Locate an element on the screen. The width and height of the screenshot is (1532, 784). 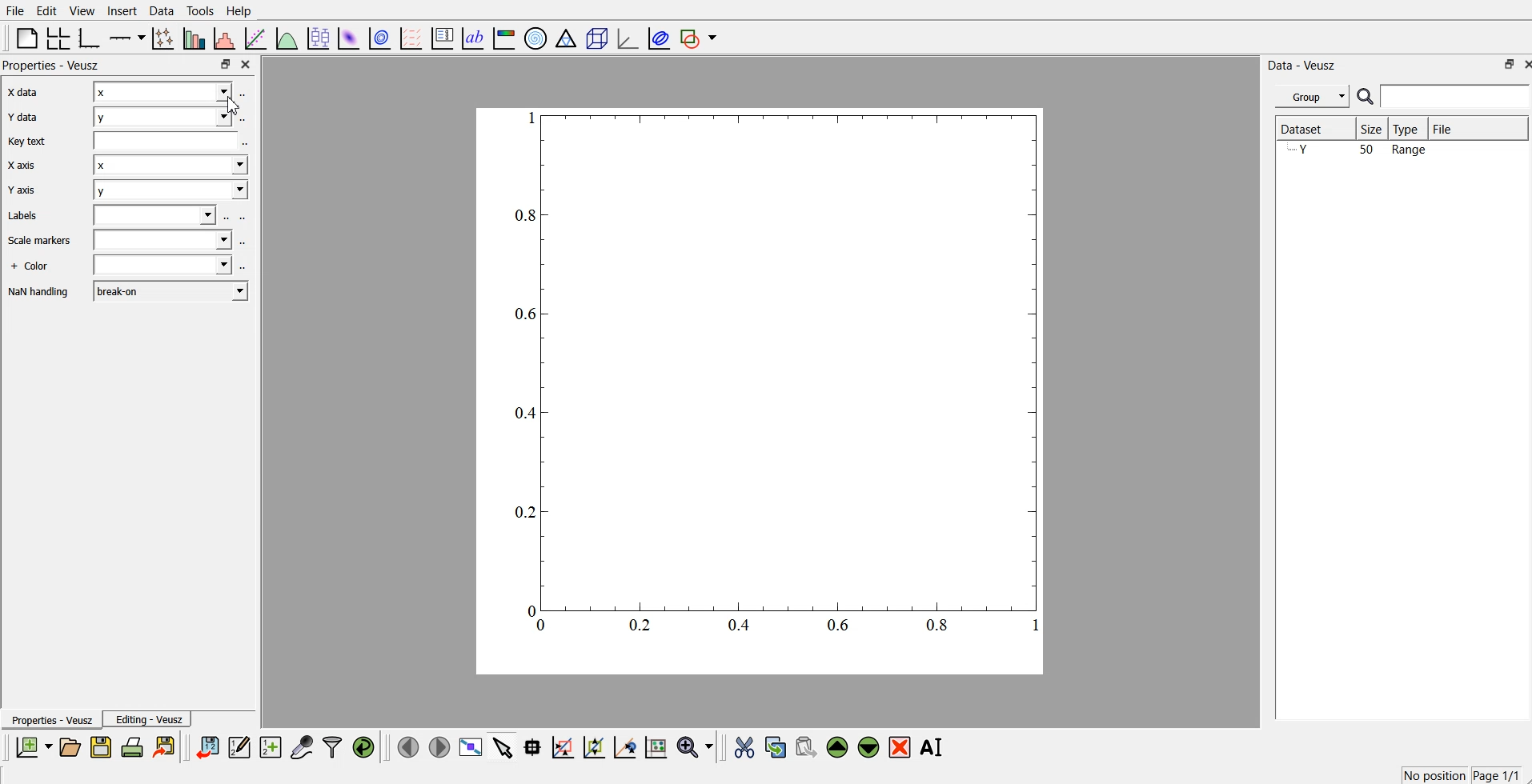
reset graph axes is located at coordinates (657, 750).